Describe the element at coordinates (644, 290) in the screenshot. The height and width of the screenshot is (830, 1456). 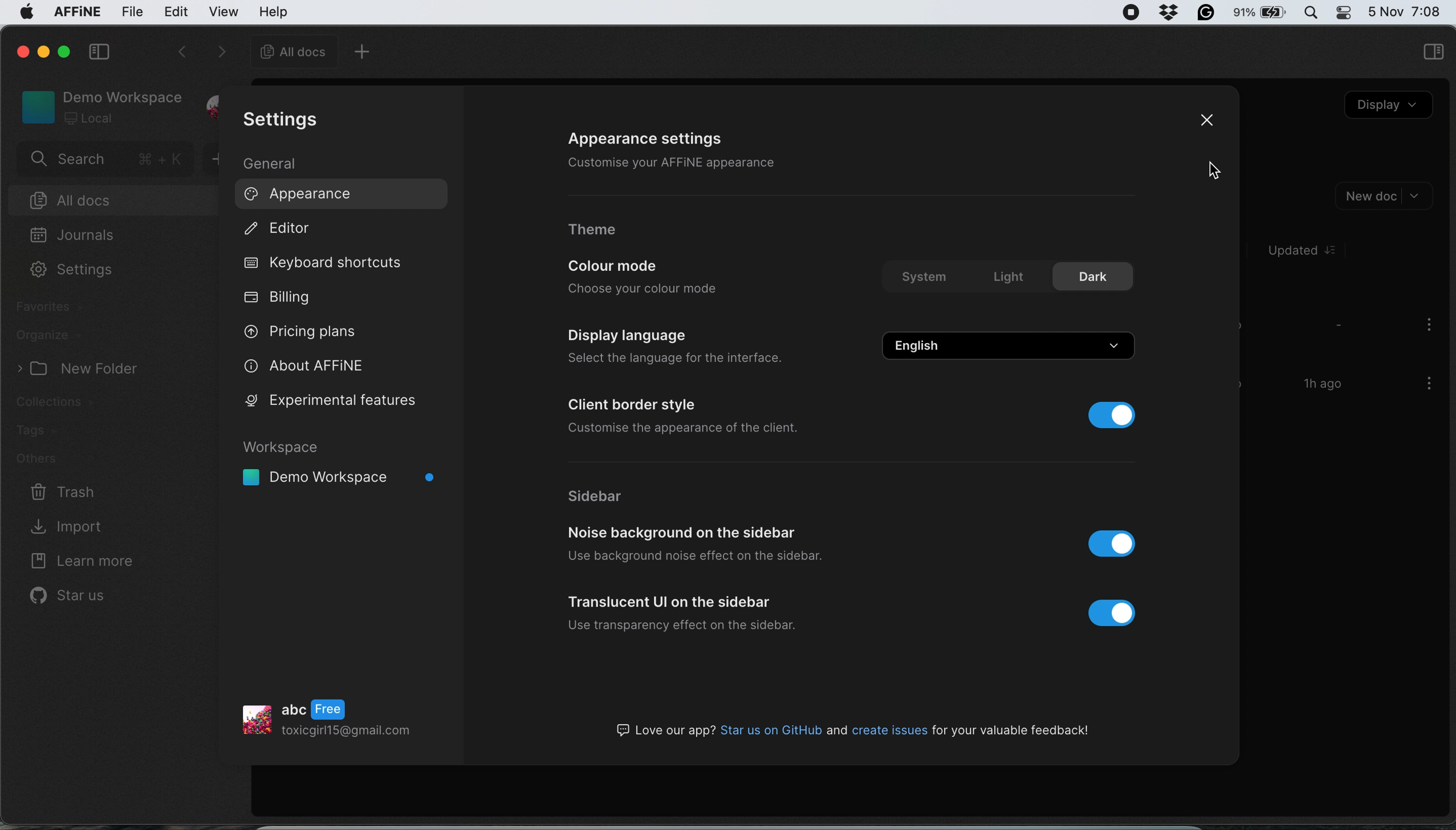
I see `choose your colour mode` at that location.